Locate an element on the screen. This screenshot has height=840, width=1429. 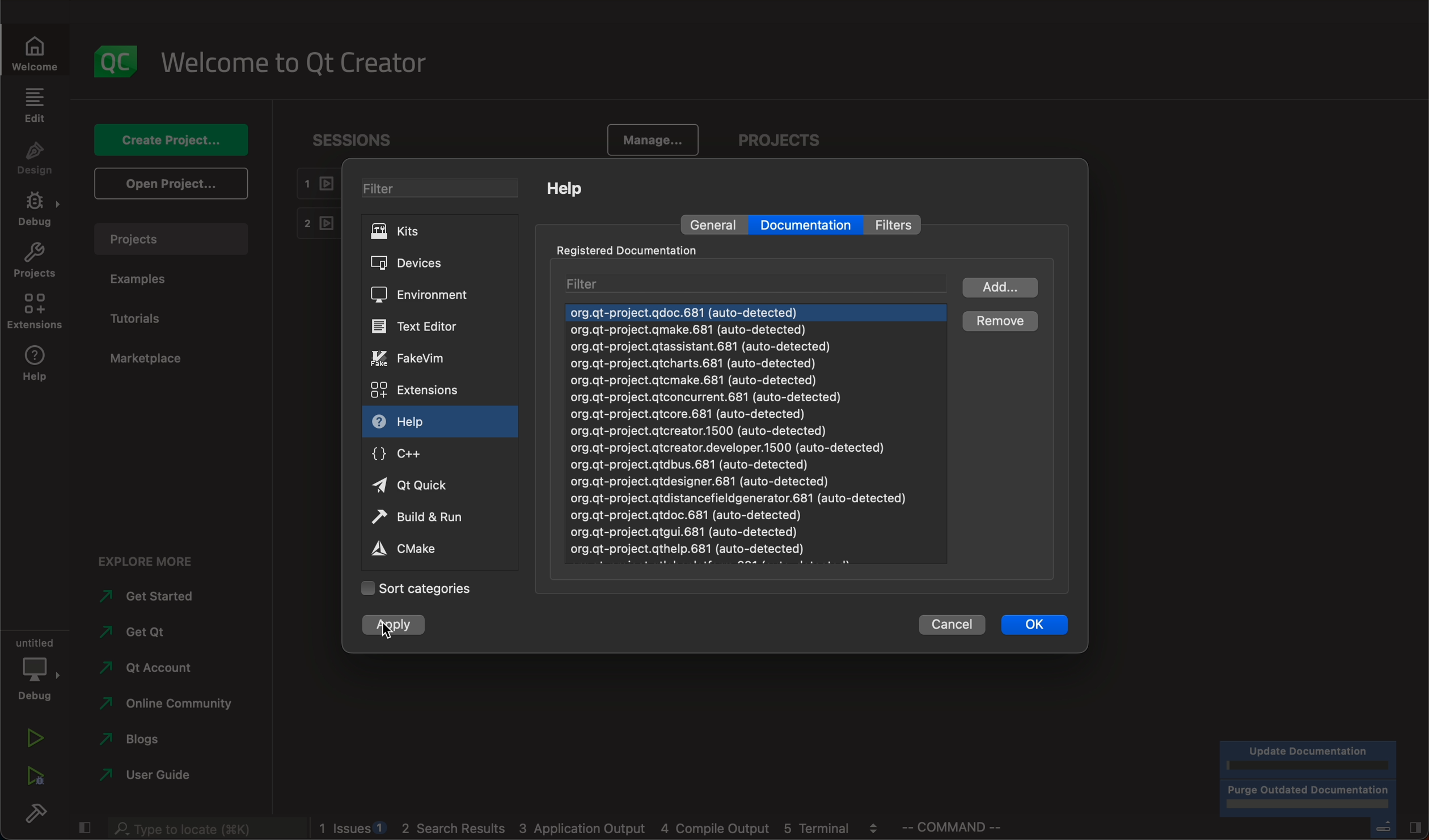
help is located at coordinates (566, 190).